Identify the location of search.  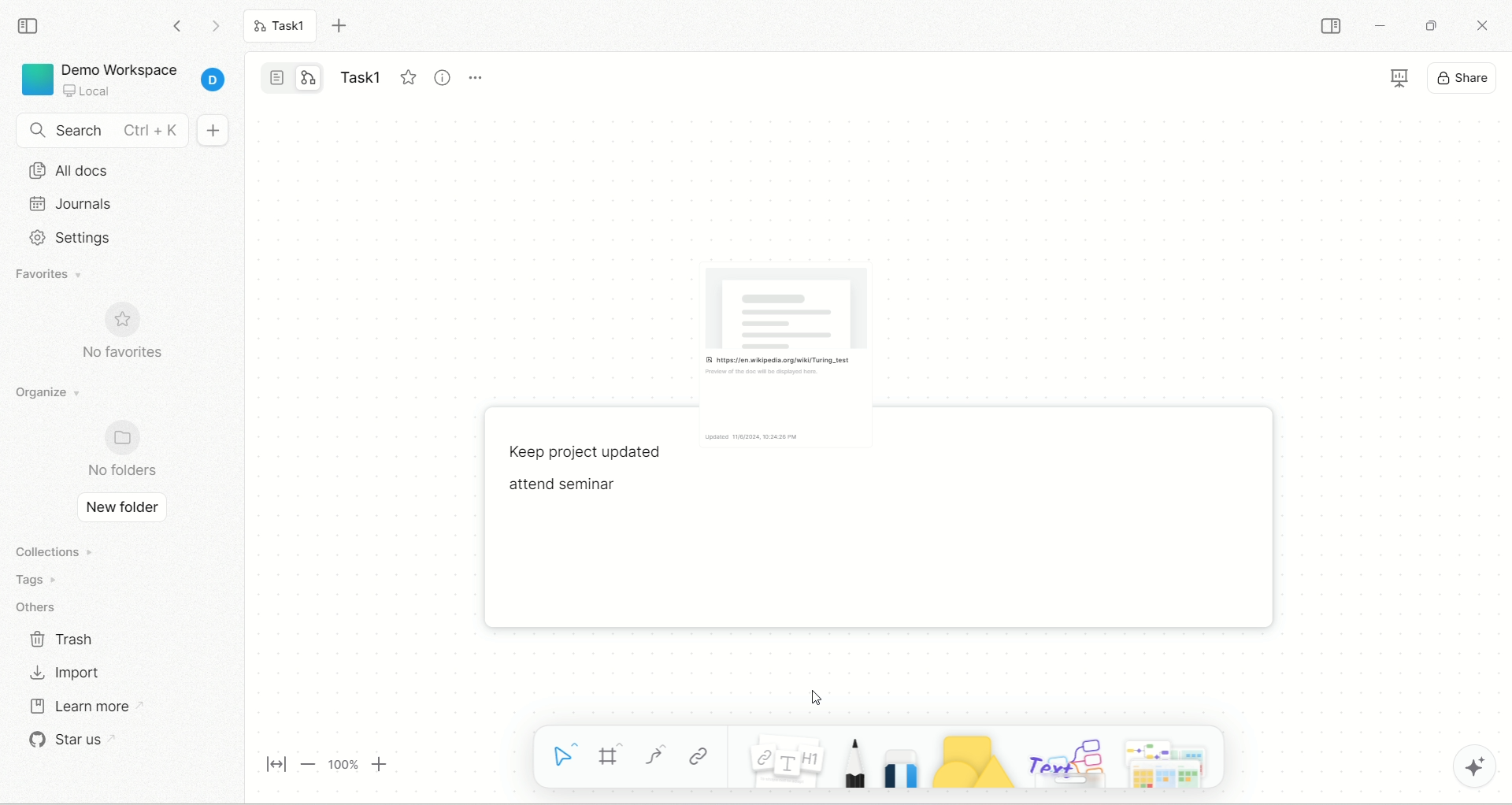
(102, 131).